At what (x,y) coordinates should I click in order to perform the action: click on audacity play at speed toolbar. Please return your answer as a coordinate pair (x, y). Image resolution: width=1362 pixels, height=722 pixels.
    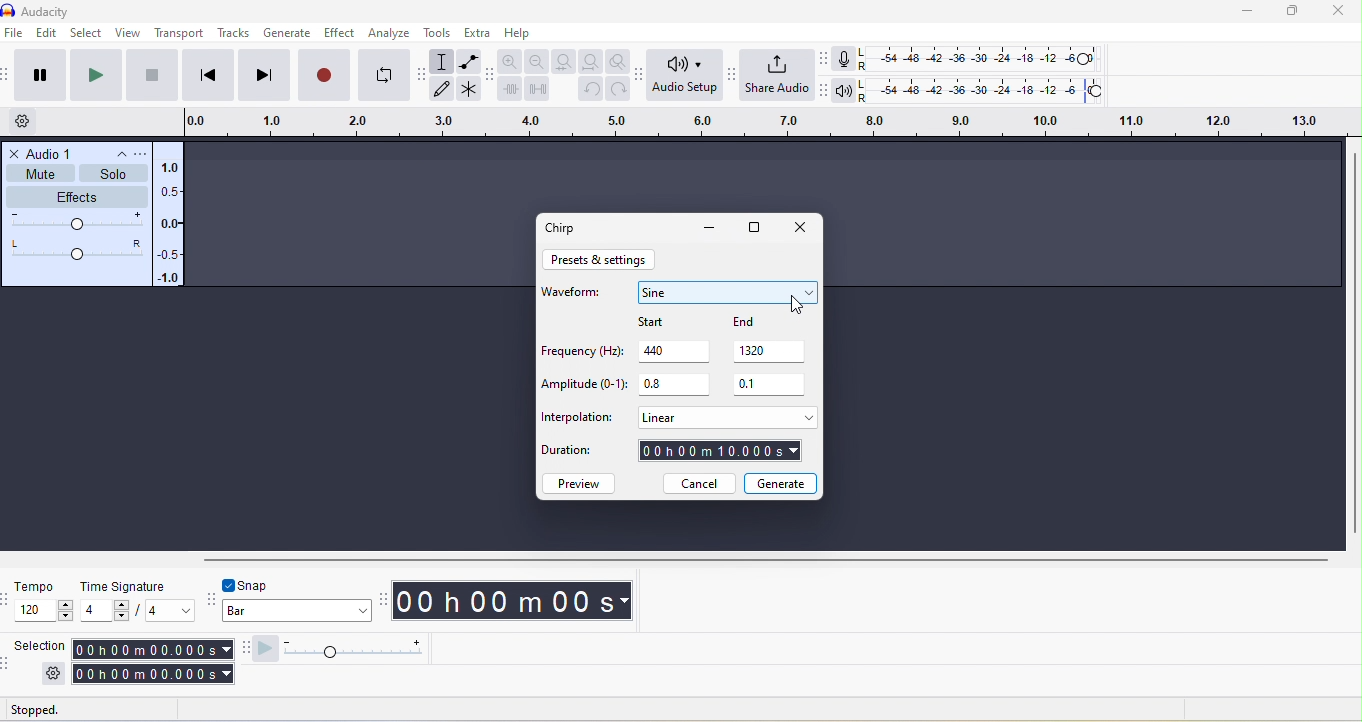
    Looking at the image, I should click on (243, 649).